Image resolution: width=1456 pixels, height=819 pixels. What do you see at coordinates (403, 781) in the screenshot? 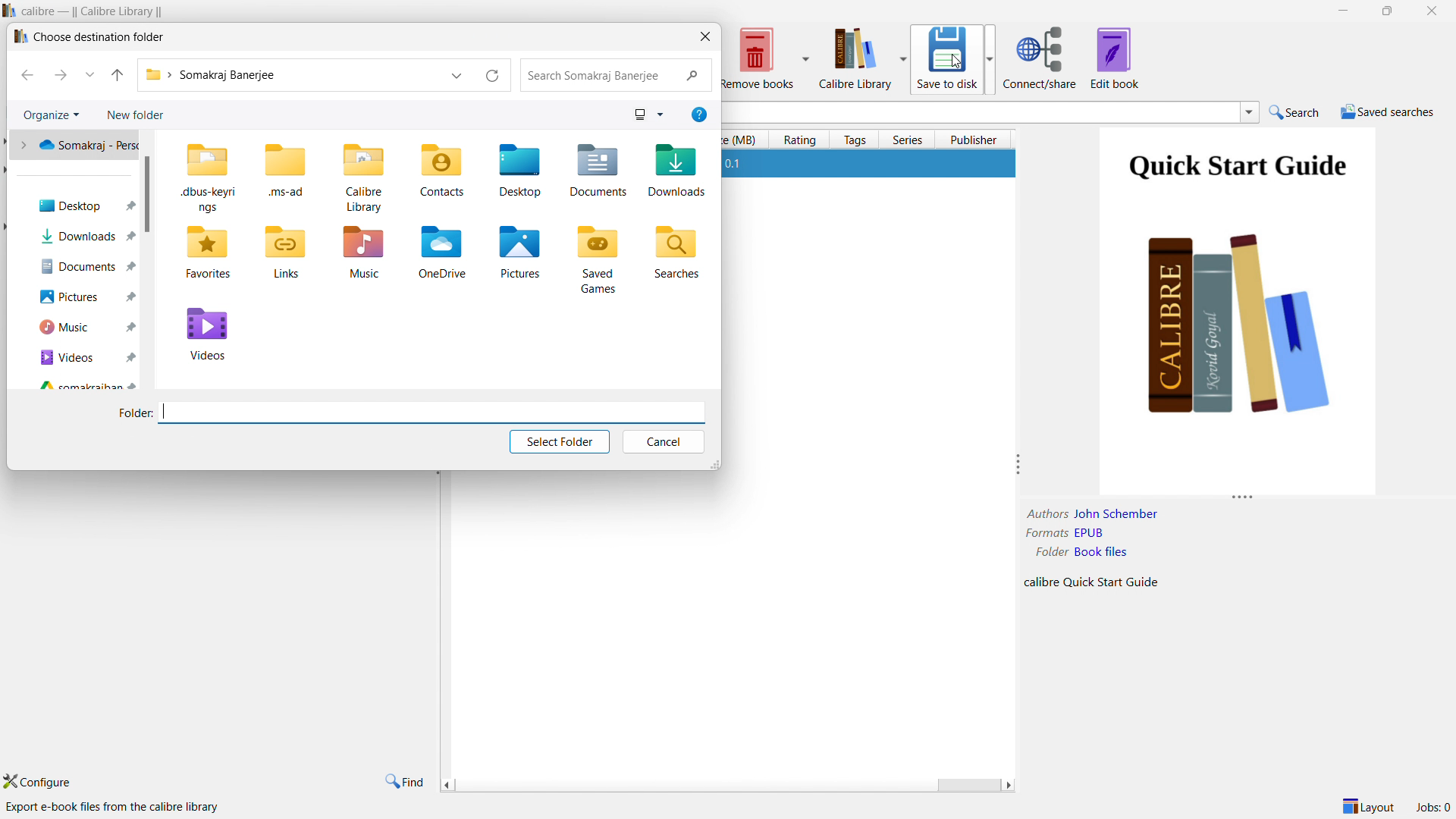
I see `find` at bounding box center [403, 781].